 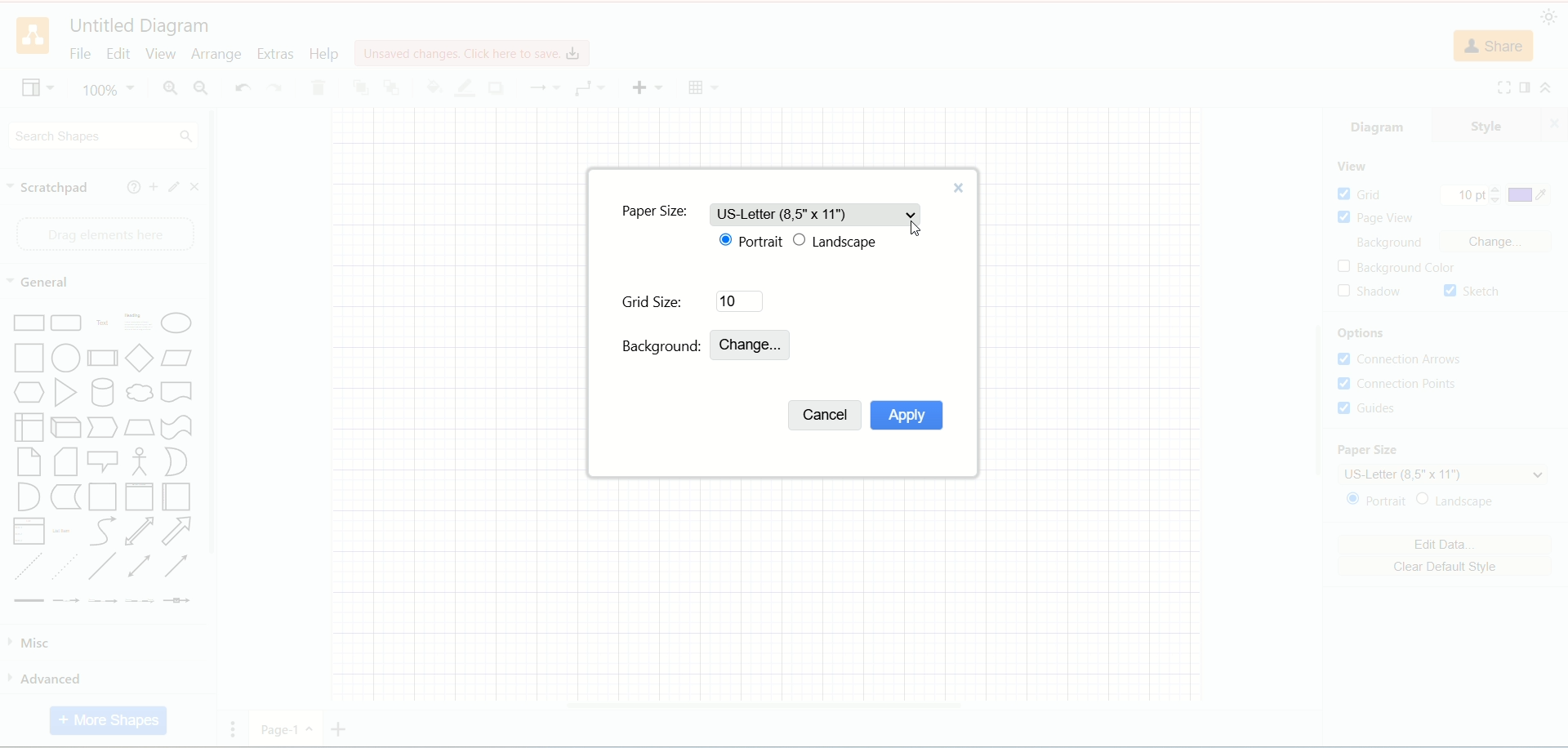 I want to click on Text, so click(x=103, y=325).